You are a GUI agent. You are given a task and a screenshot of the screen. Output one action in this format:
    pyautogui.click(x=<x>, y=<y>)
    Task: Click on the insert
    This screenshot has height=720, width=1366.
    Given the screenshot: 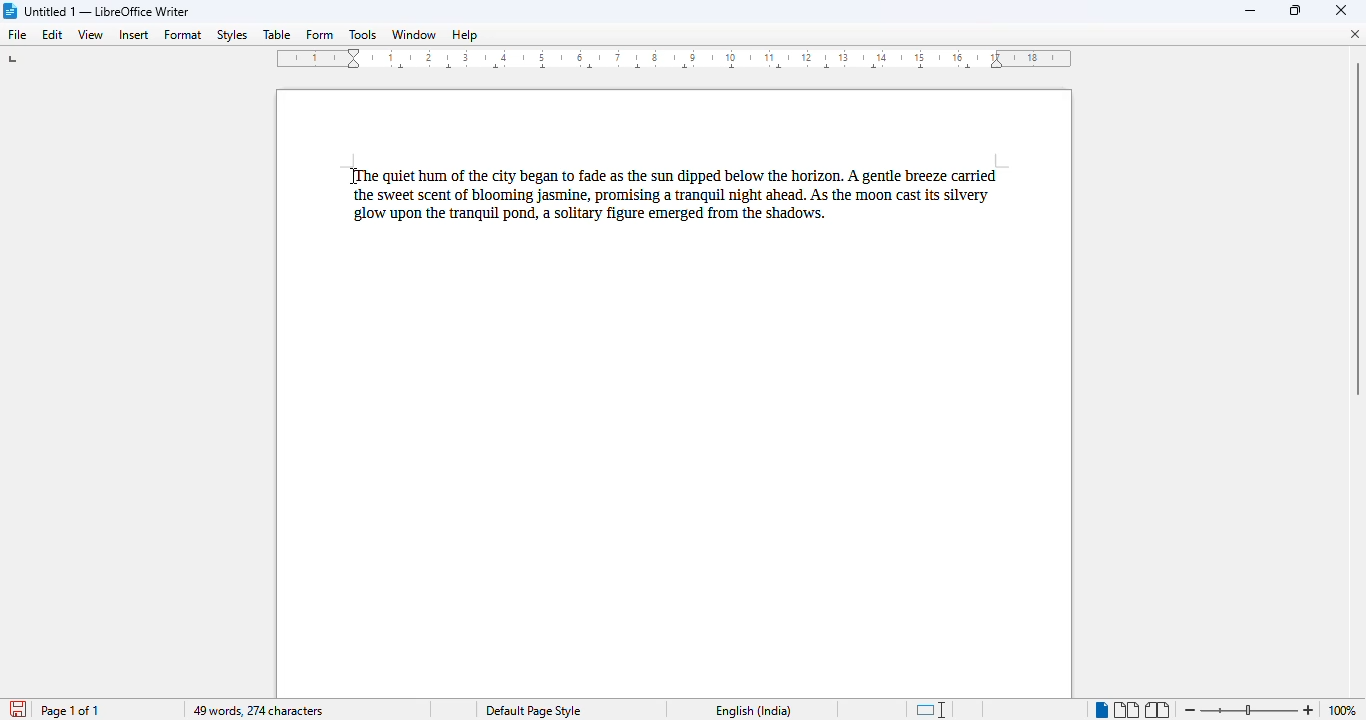 What is the action you would take?
    pyautogui.click(x=134, y=35)
    